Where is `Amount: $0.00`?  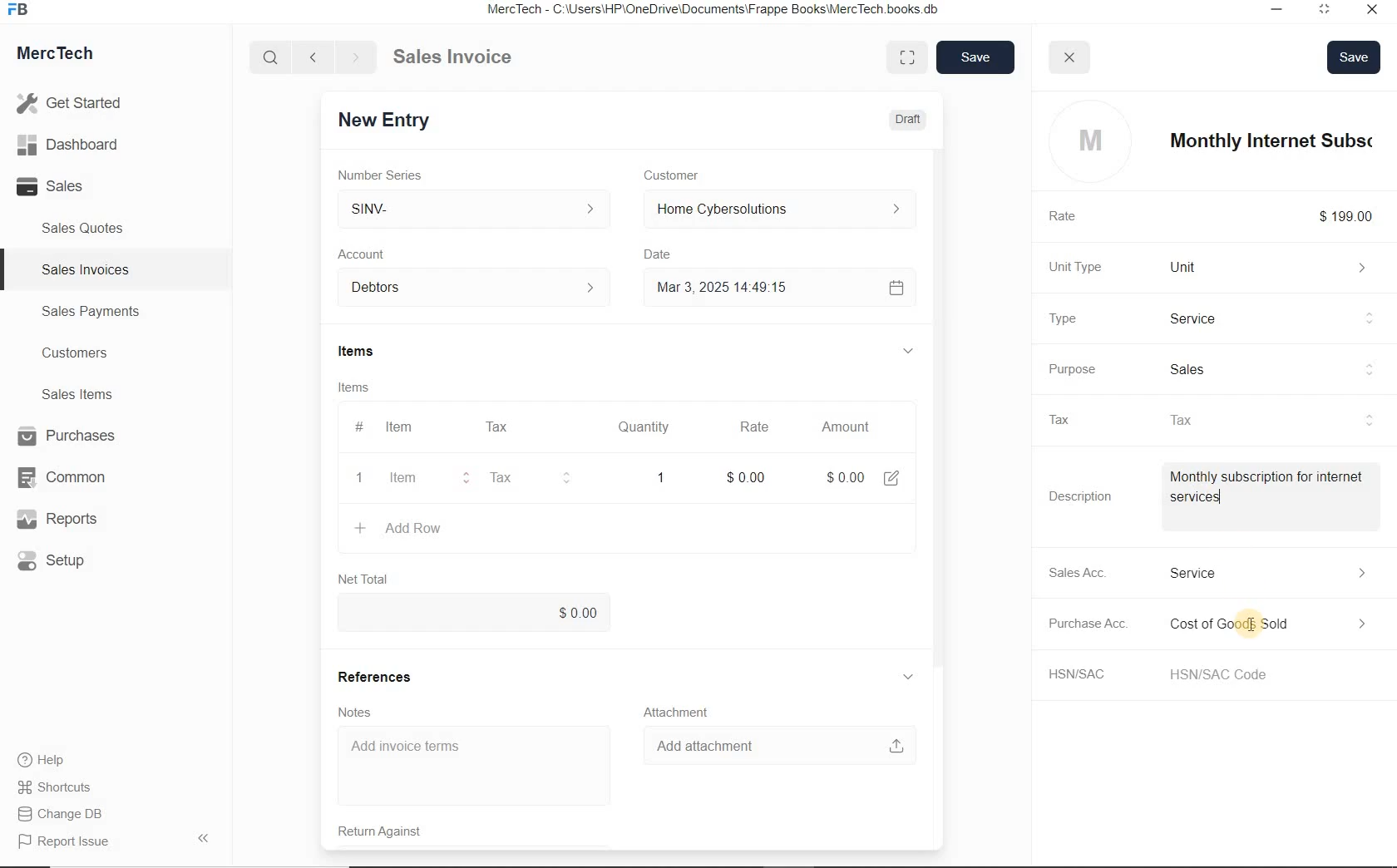 Amount: $0.00 is located at coordinates (841, 476).